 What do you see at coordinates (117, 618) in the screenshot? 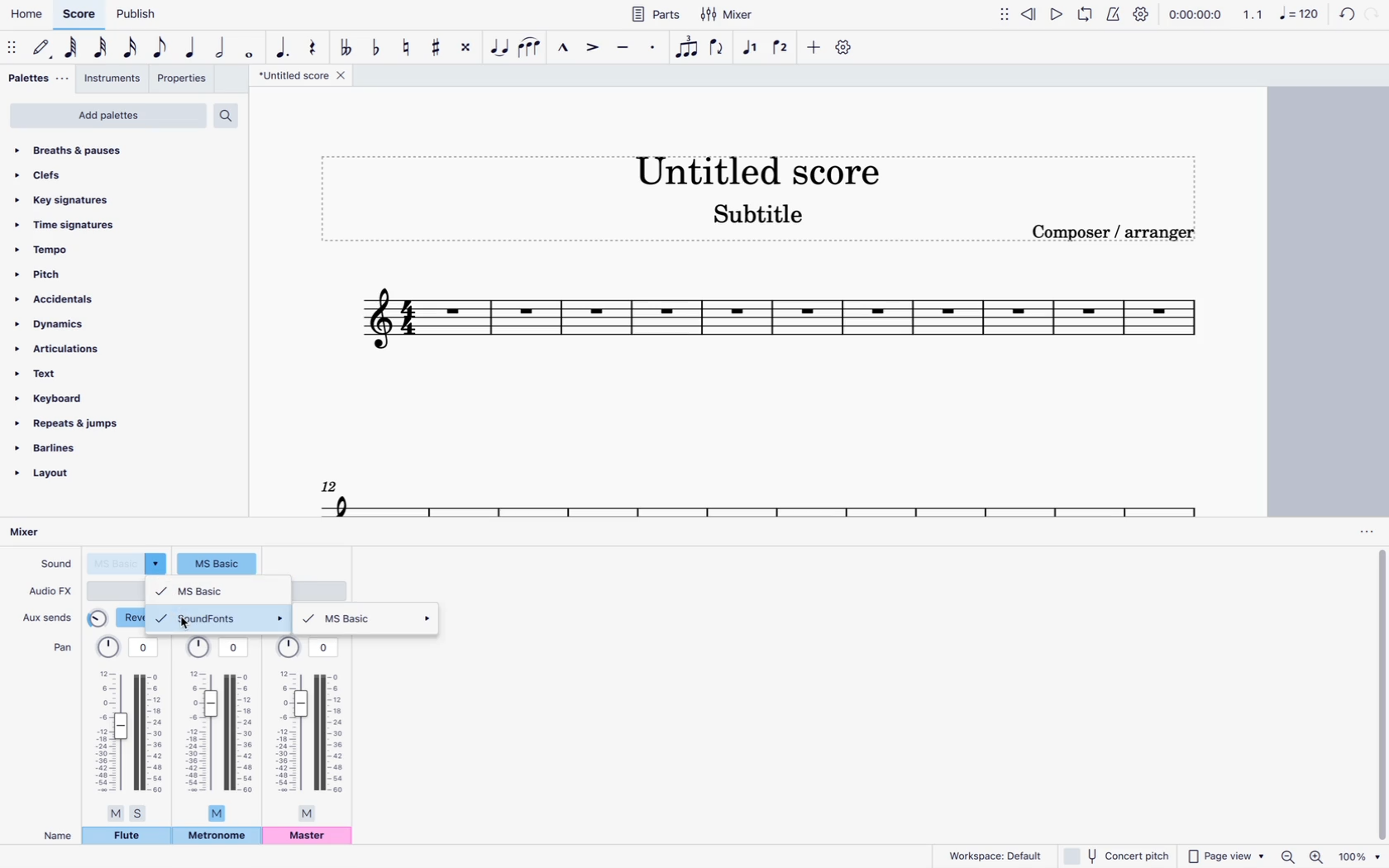
I see `reverb` at bounding box center [117, 618].